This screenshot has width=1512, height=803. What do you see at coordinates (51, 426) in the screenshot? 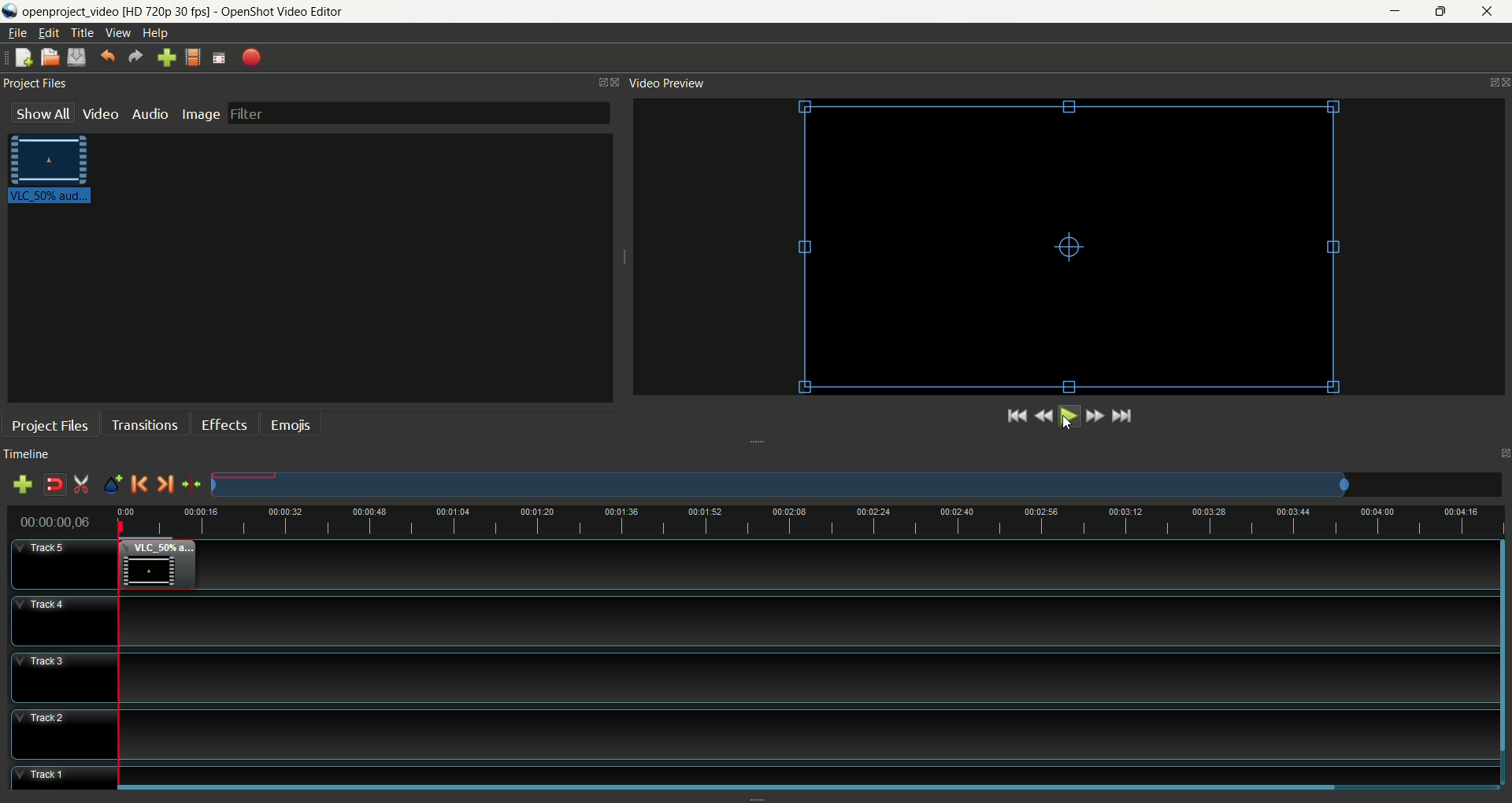
I see `project files` at bounding box center [51, 426].